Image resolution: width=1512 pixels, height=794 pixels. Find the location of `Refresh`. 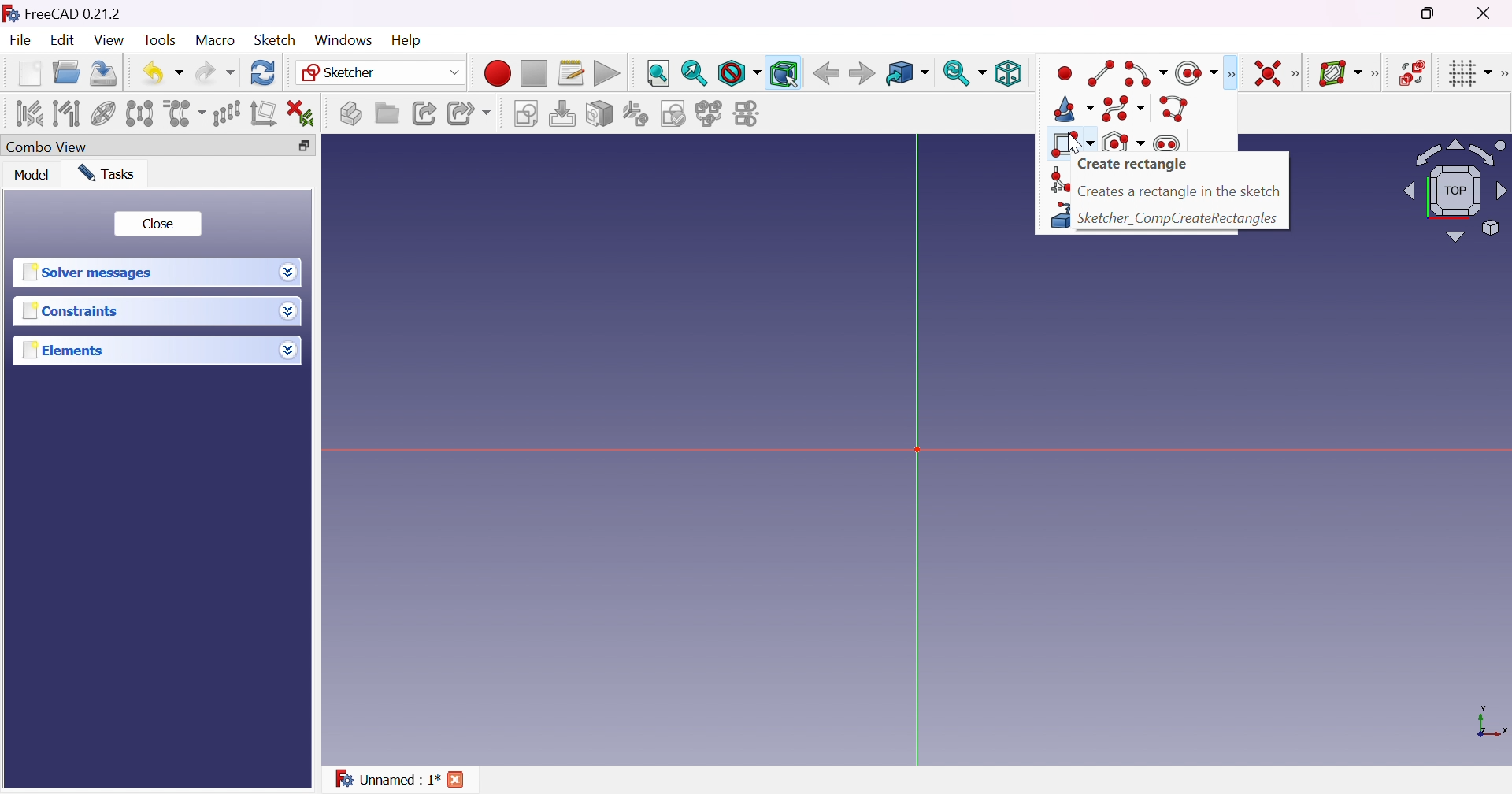

Refresh is located at coordinates (265, 72).